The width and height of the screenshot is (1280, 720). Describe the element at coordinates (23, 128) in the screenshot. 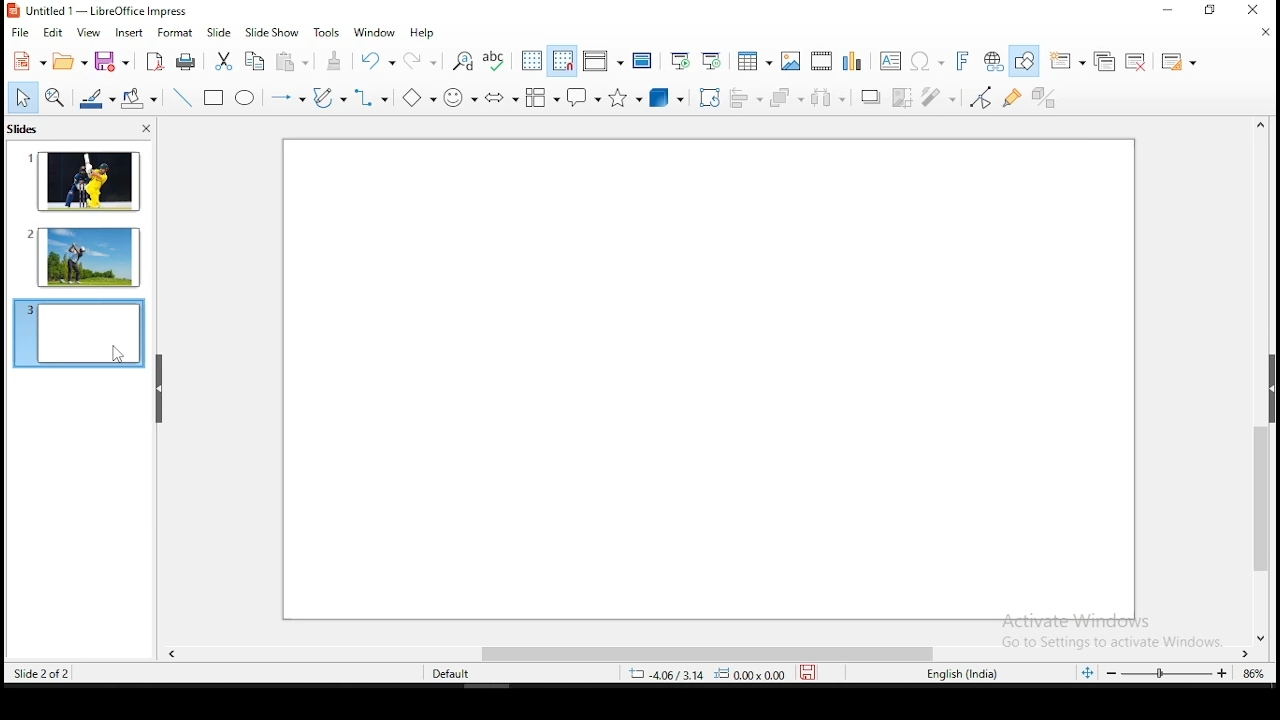

I see `slides` at that location.